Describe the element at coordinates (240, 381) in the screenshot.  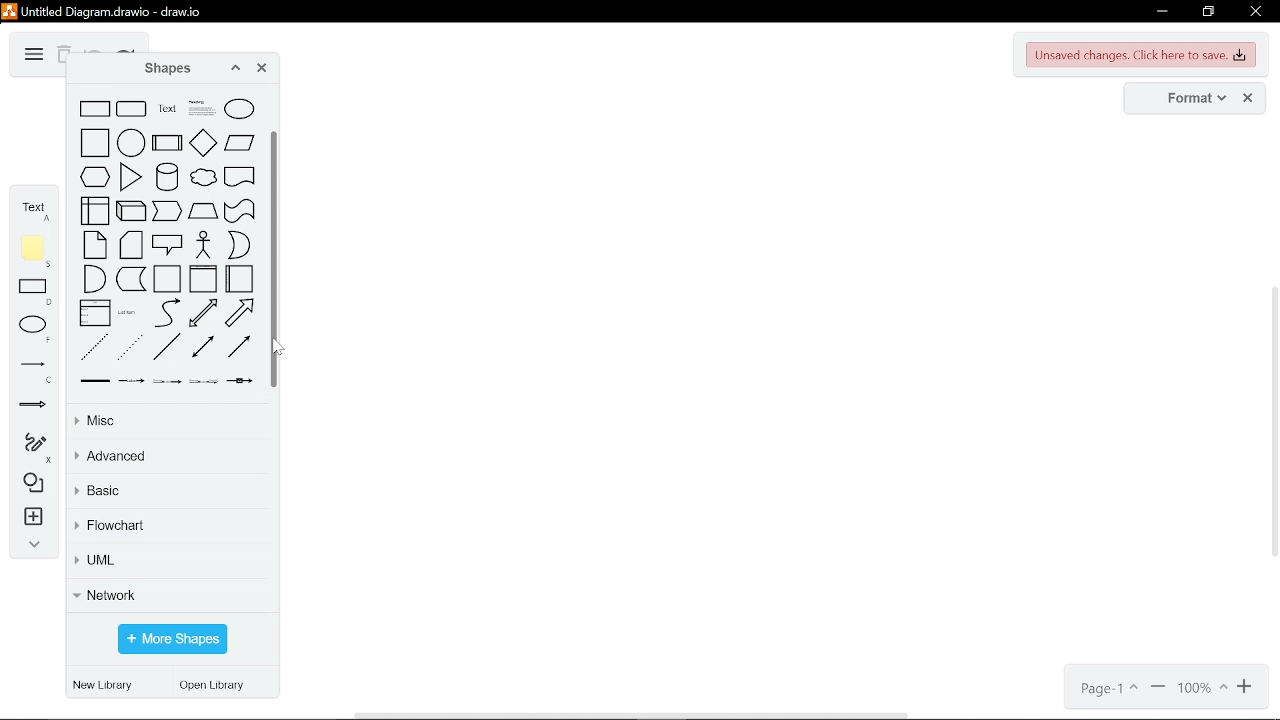
I see `connector with symbol` at that location.